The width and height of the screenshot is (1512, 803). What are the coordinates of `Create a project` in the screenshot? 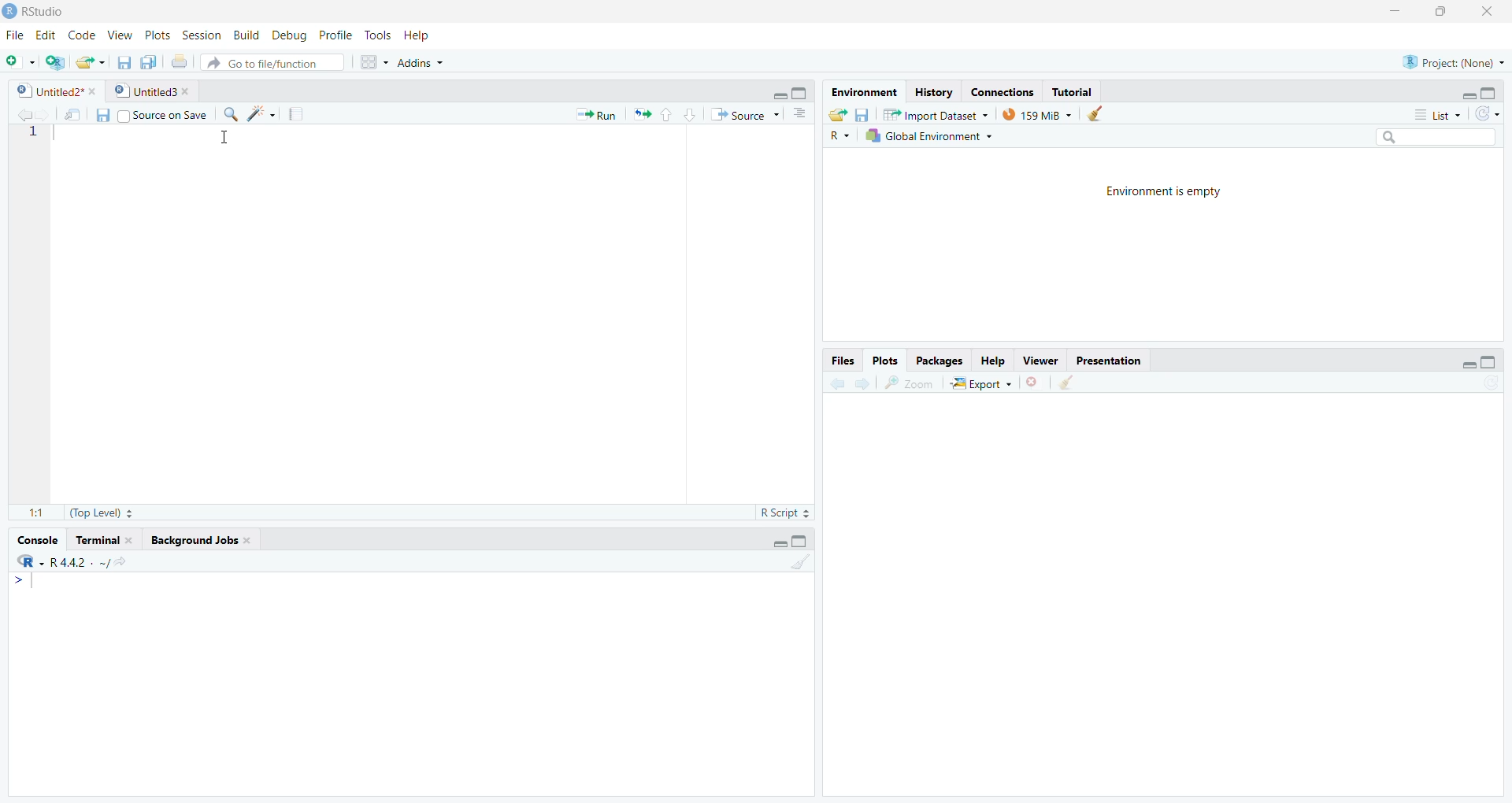 It's located at (55, 62).